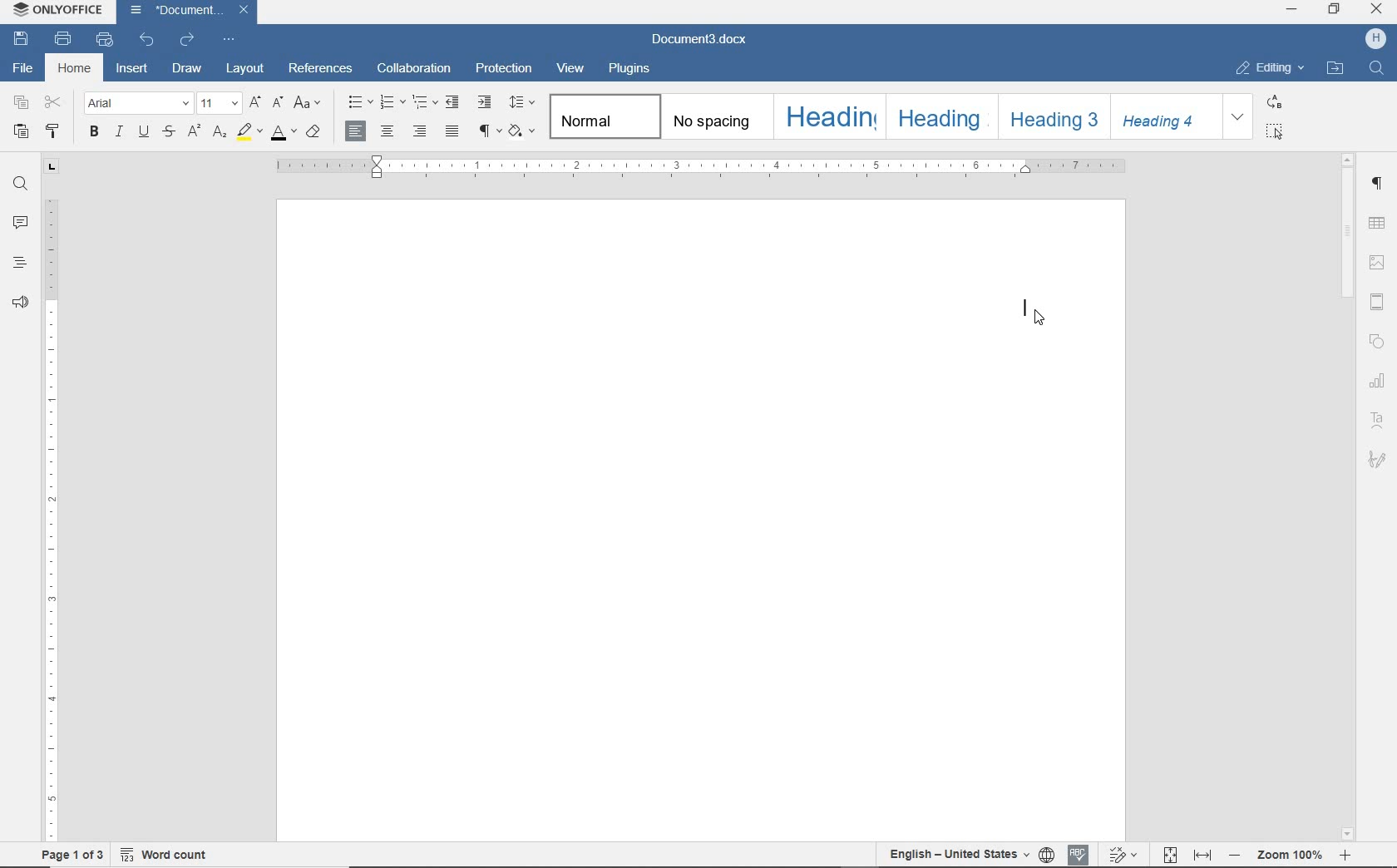  What do you see at coordinates (414, 71) in the screenshot?
I see `COLLABORATION` at bounding box center [414, 71].